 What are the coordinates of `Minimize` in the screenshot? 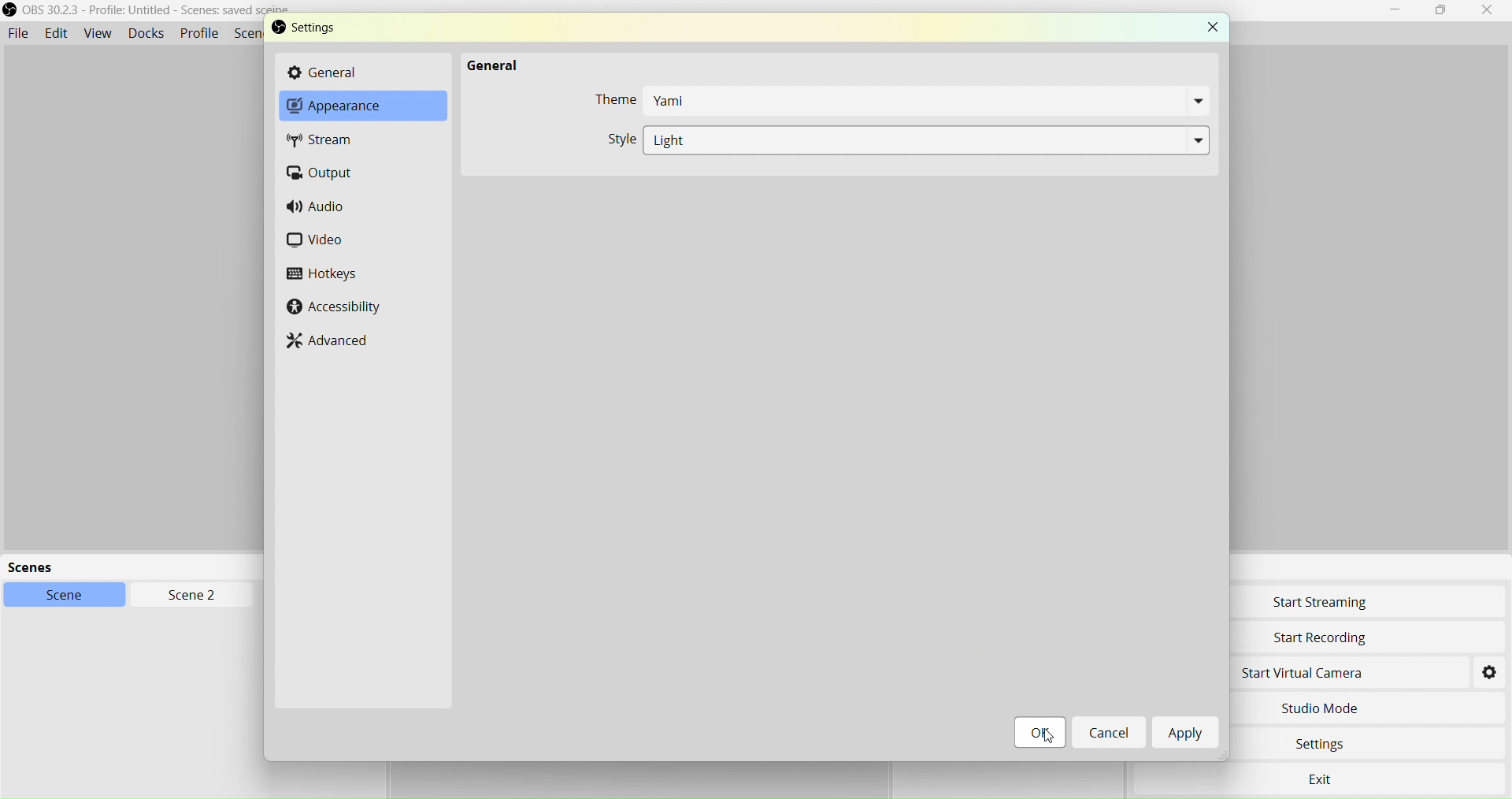 It's located at (1400, 10).